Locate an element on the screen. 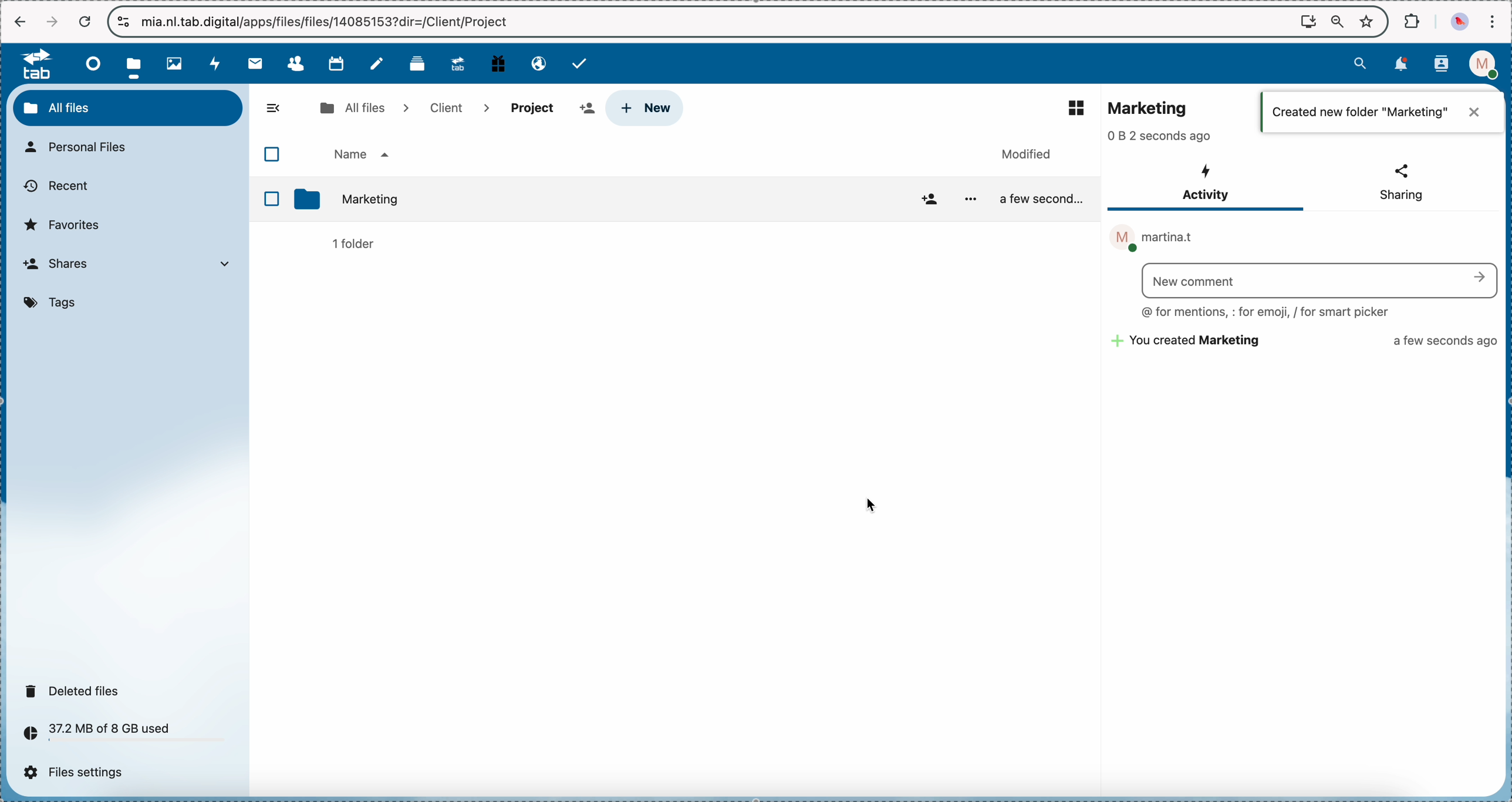  tab is located at coordinates (31, 63).